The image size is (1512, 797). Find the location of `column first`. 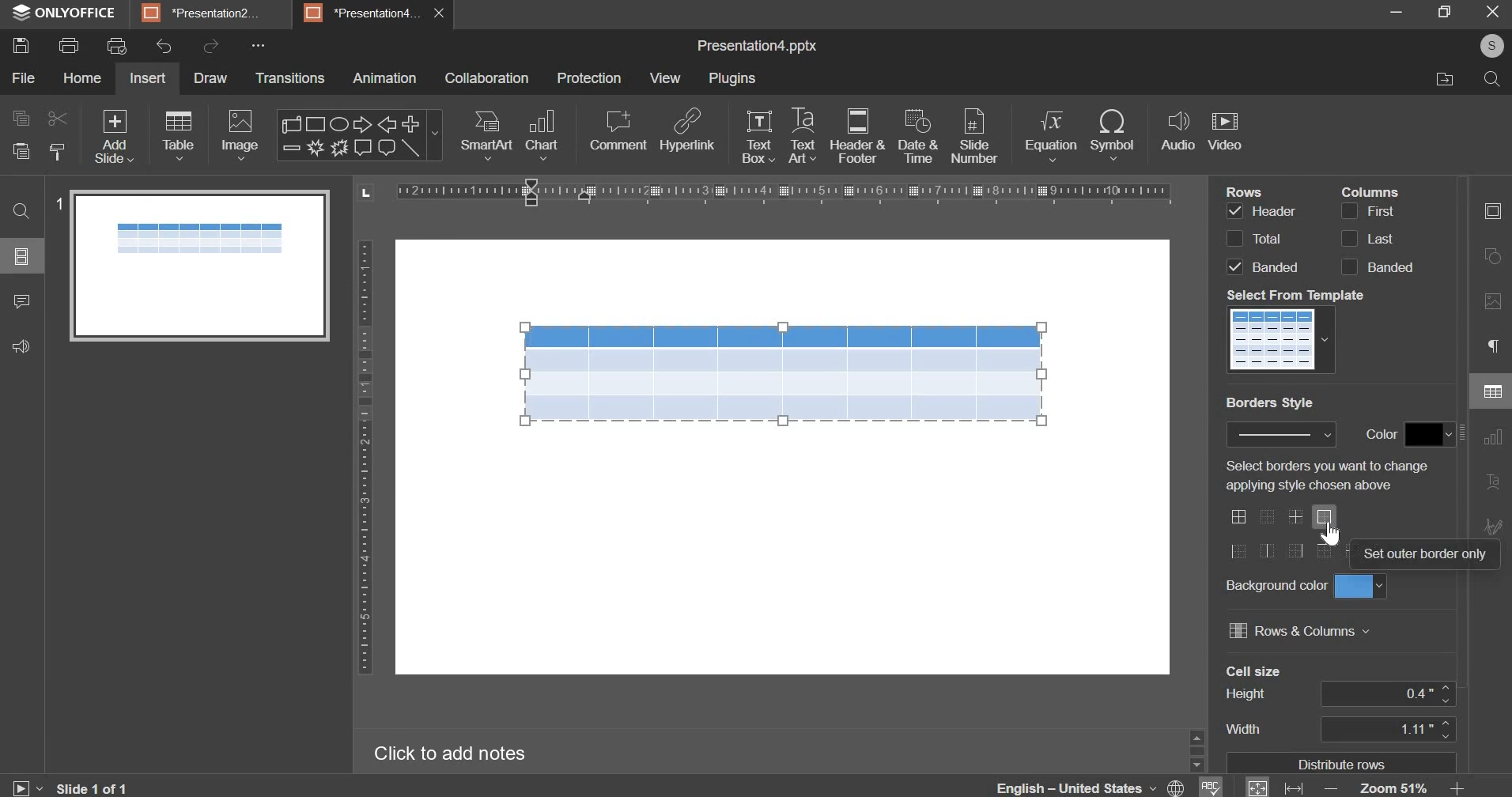

column first is located at coordinates (1370, 209).